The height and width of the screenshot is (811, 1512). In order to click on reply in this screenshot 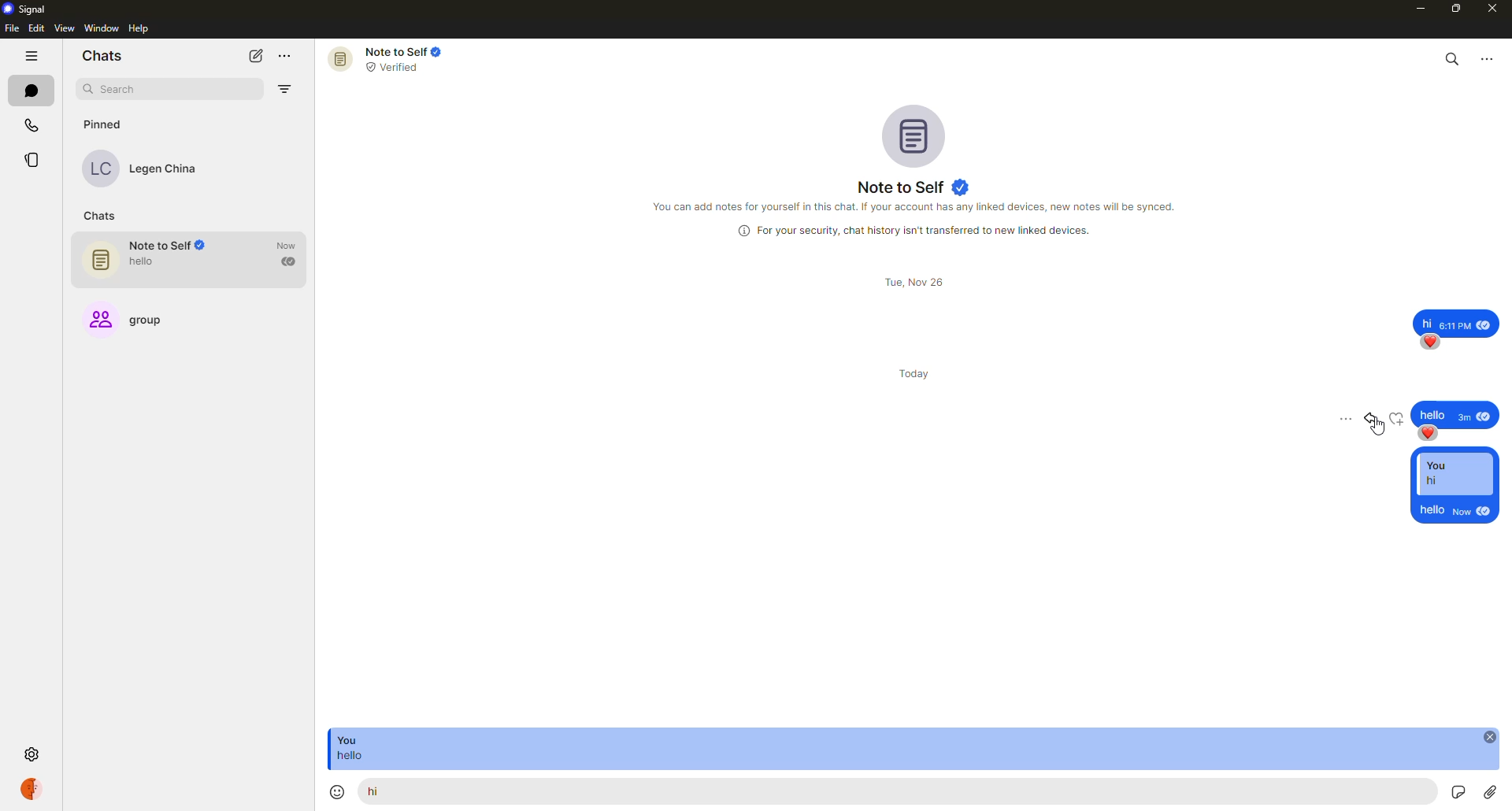, I will do `click(1373, 420)`.